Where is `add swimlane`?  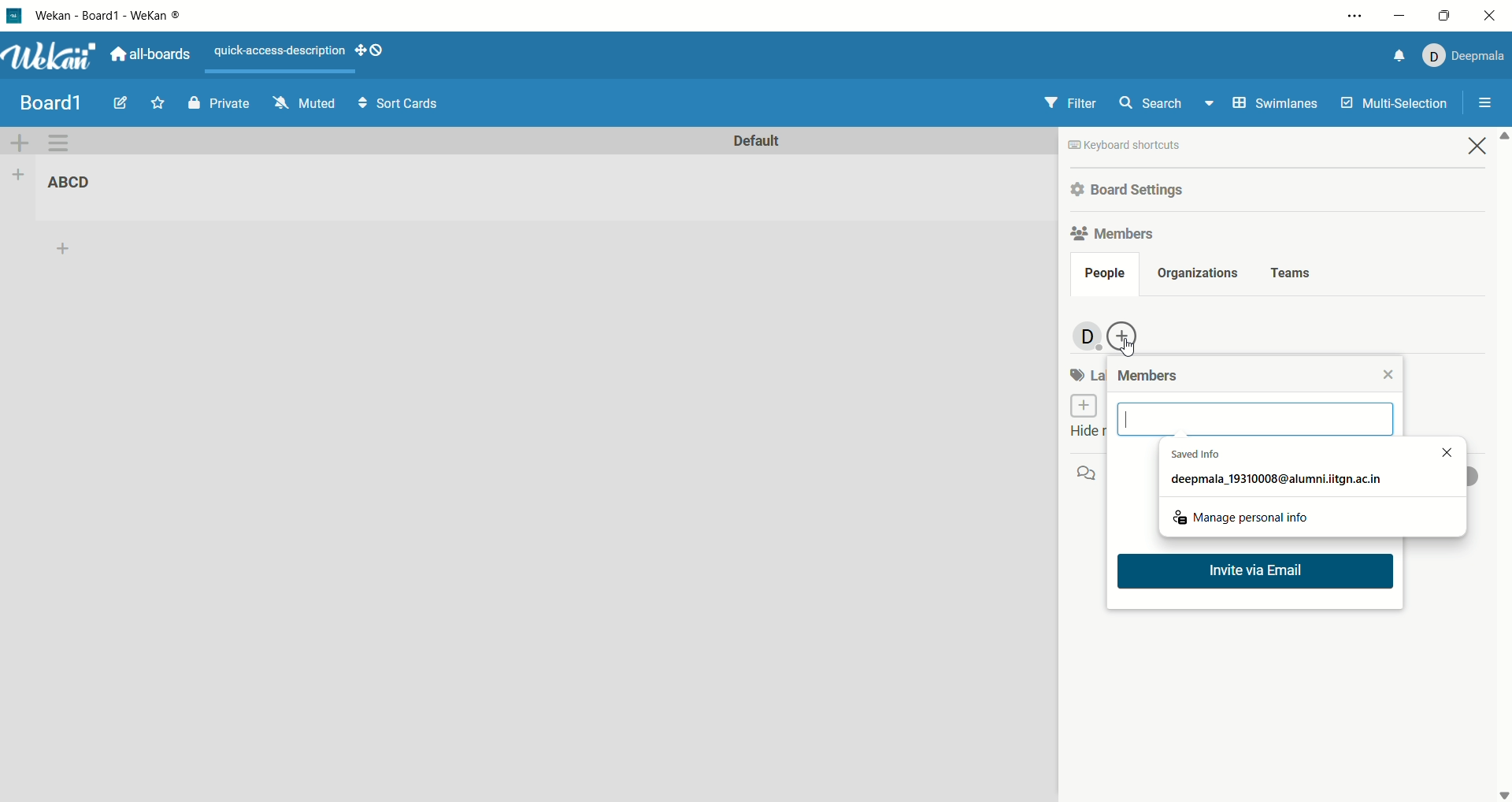 add swimlane is located at coordinates (20, 144).